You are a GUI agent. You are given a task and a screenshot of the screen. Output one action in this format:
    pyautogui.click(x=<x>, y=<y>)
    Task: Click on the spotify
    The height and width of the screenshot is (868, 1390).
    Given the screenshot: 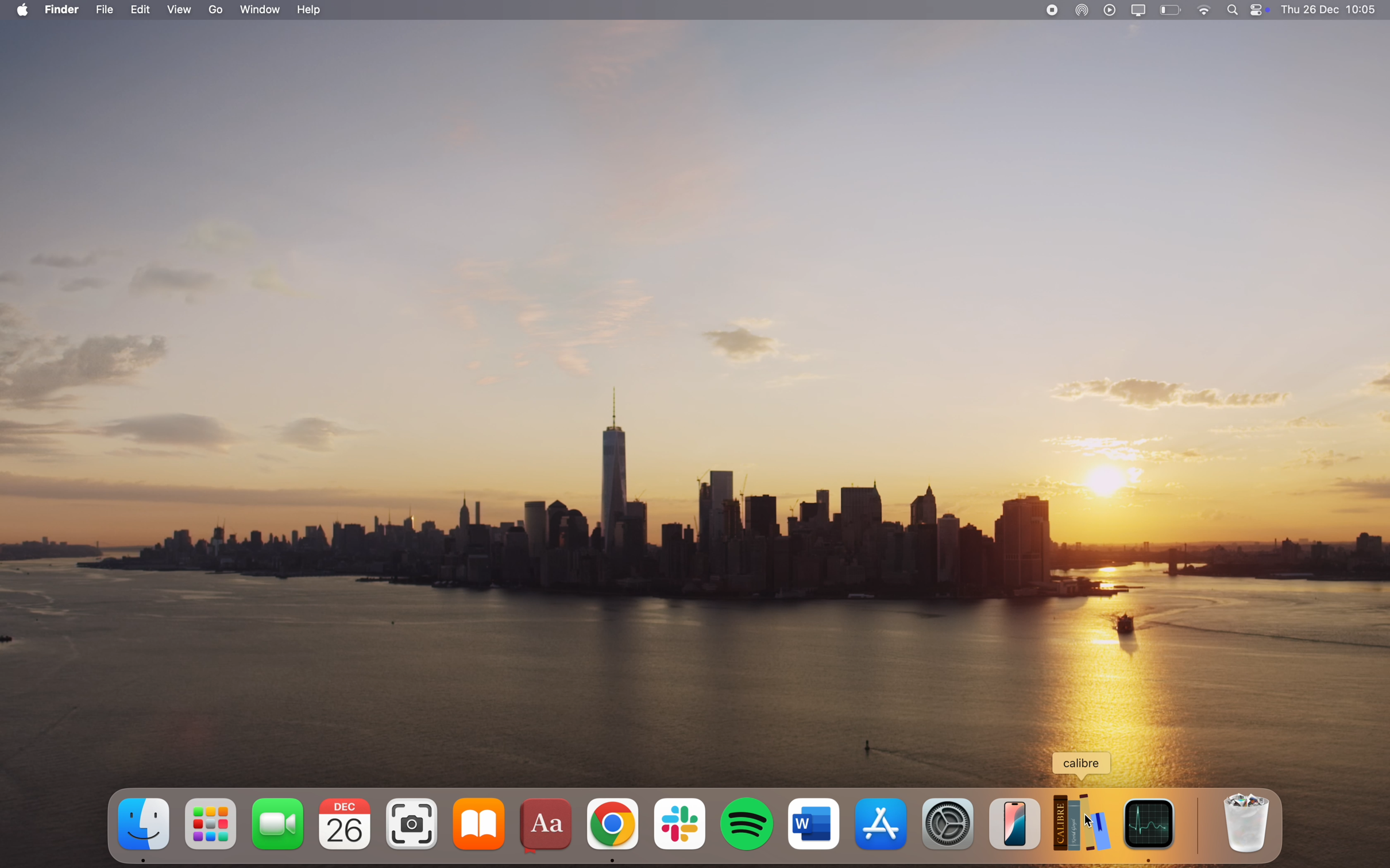 What is the action you would take?
    pyautogui.click(x=747, y=821)
    